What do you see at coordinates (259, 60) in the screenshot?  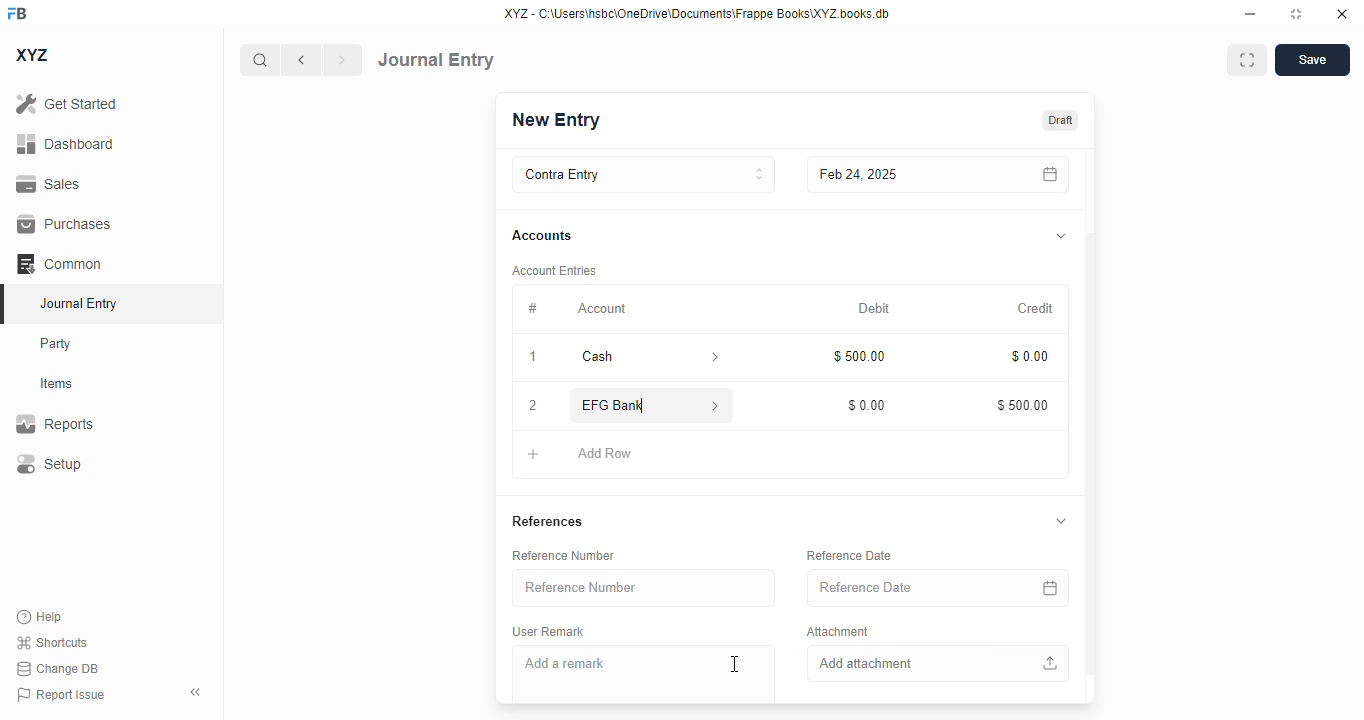 I see `search` at bounding box center [259, 60].